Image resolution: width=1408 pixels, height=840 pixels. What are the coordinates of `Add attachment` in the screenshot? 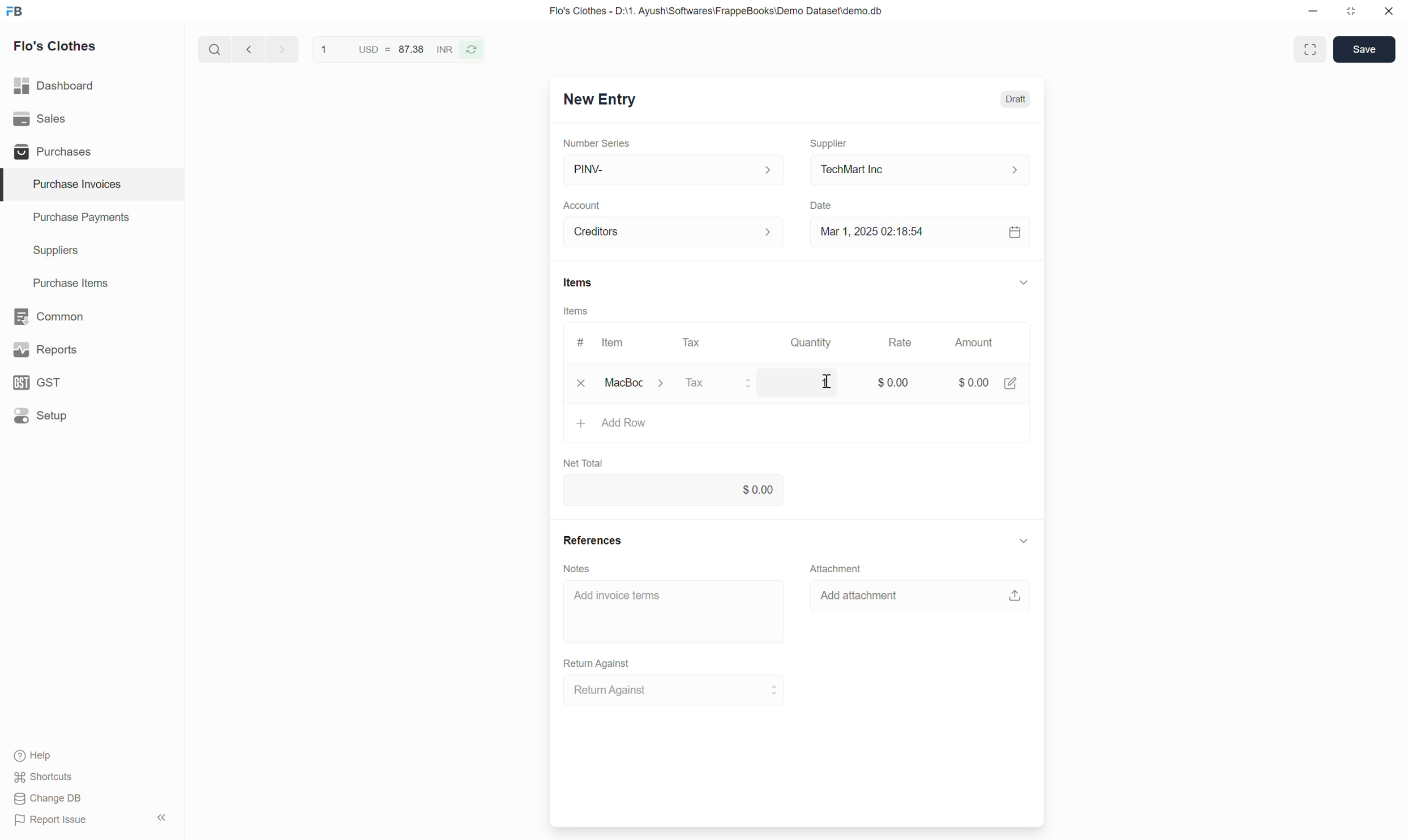 It's located at (920, 594).